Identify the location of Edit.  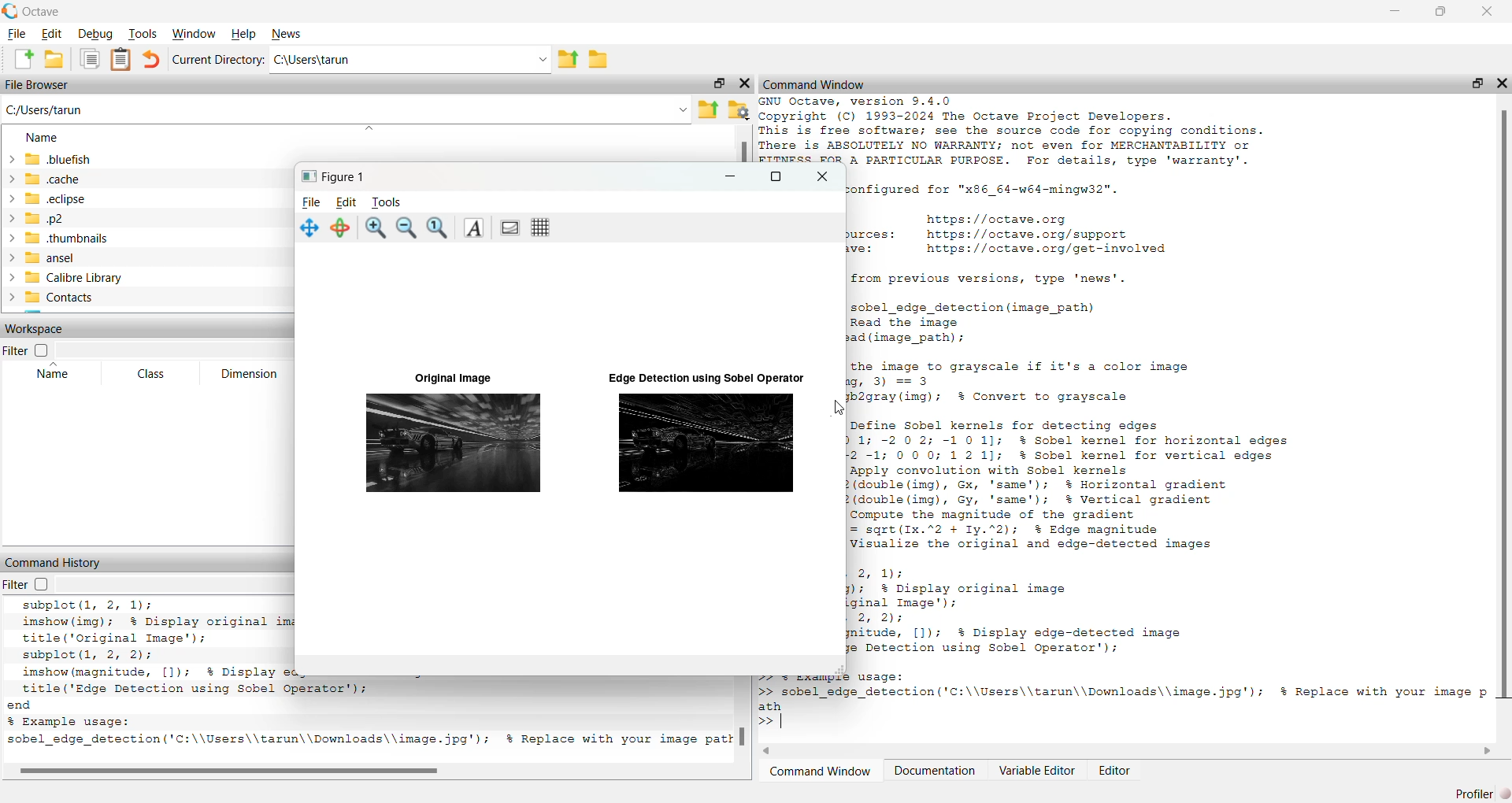
(54, 33).